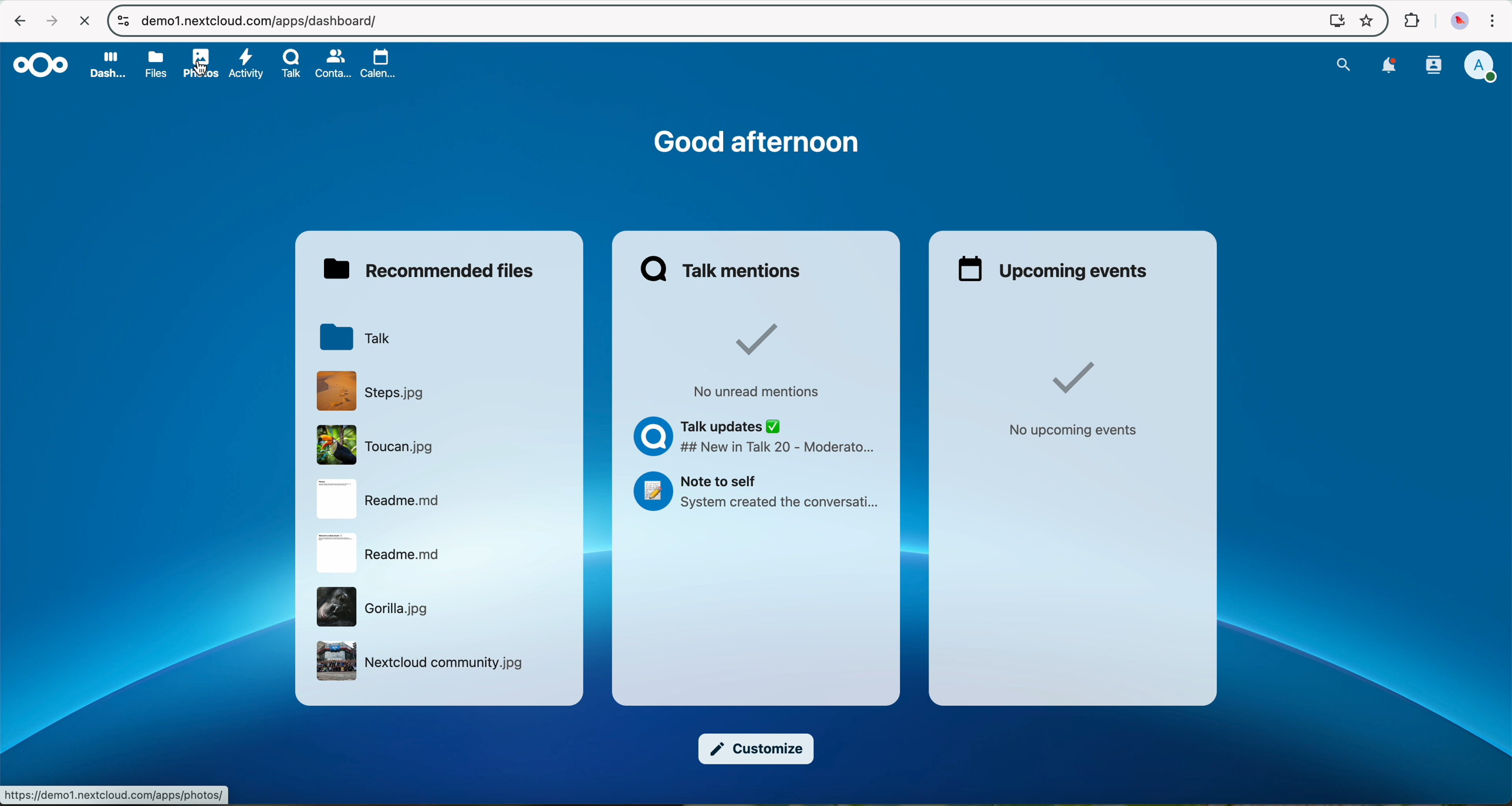  What do you see at coordinates (374, 607) in the screenshot?
I see `gorila image` at bounding box center [374, 607].